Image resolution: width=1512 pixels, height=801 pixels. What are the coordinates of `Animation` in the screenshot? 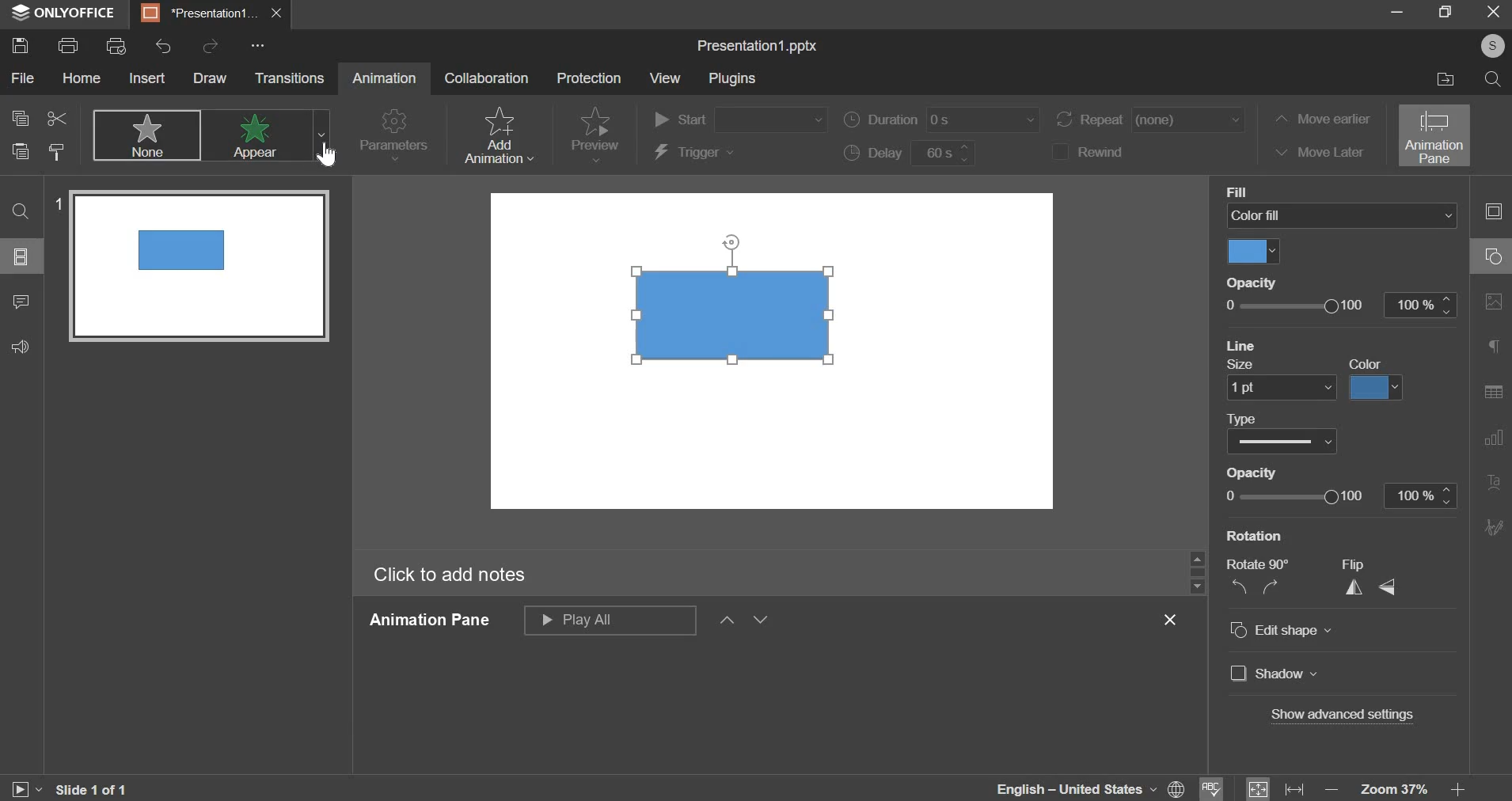 It's located at (386, 80).